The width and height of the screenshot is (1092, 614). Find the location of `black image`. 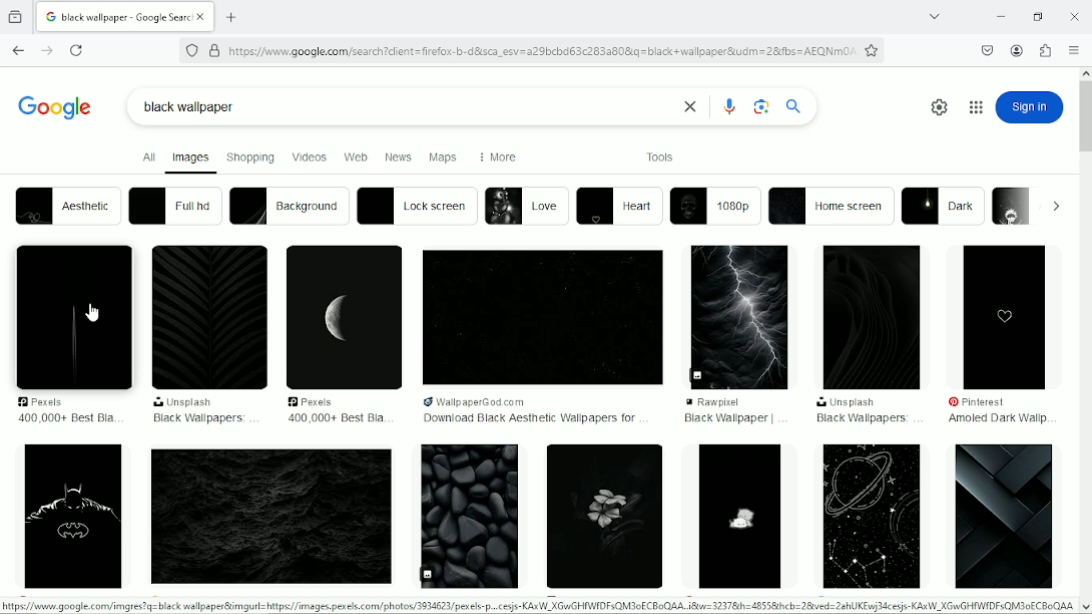

black image is located at coordinates (542, 317).